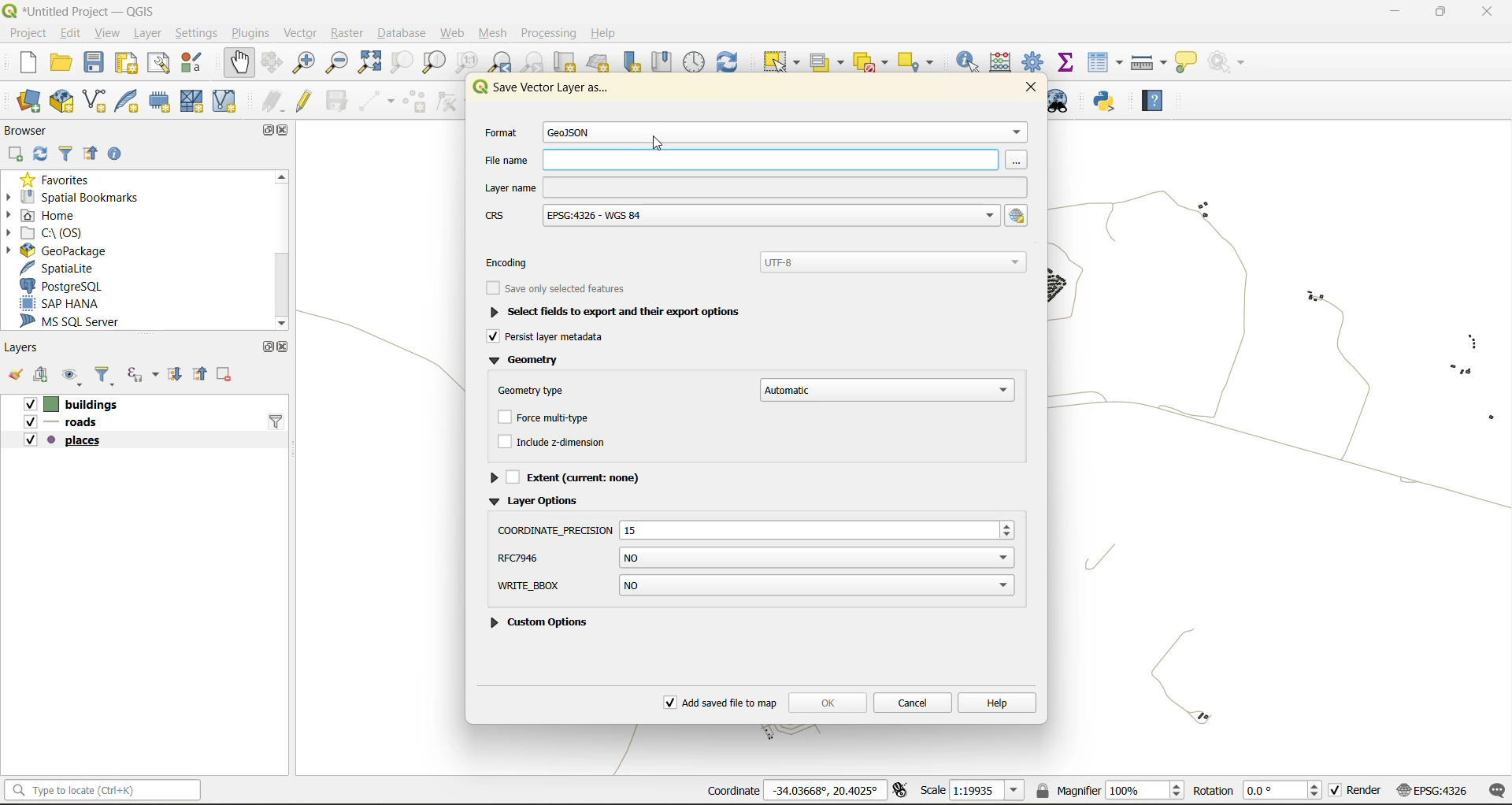 The height and width of the screenshot is (805, 1512). Describe the element at coordinates (1233, 63) in the screenshot. I see `no action` at that location.